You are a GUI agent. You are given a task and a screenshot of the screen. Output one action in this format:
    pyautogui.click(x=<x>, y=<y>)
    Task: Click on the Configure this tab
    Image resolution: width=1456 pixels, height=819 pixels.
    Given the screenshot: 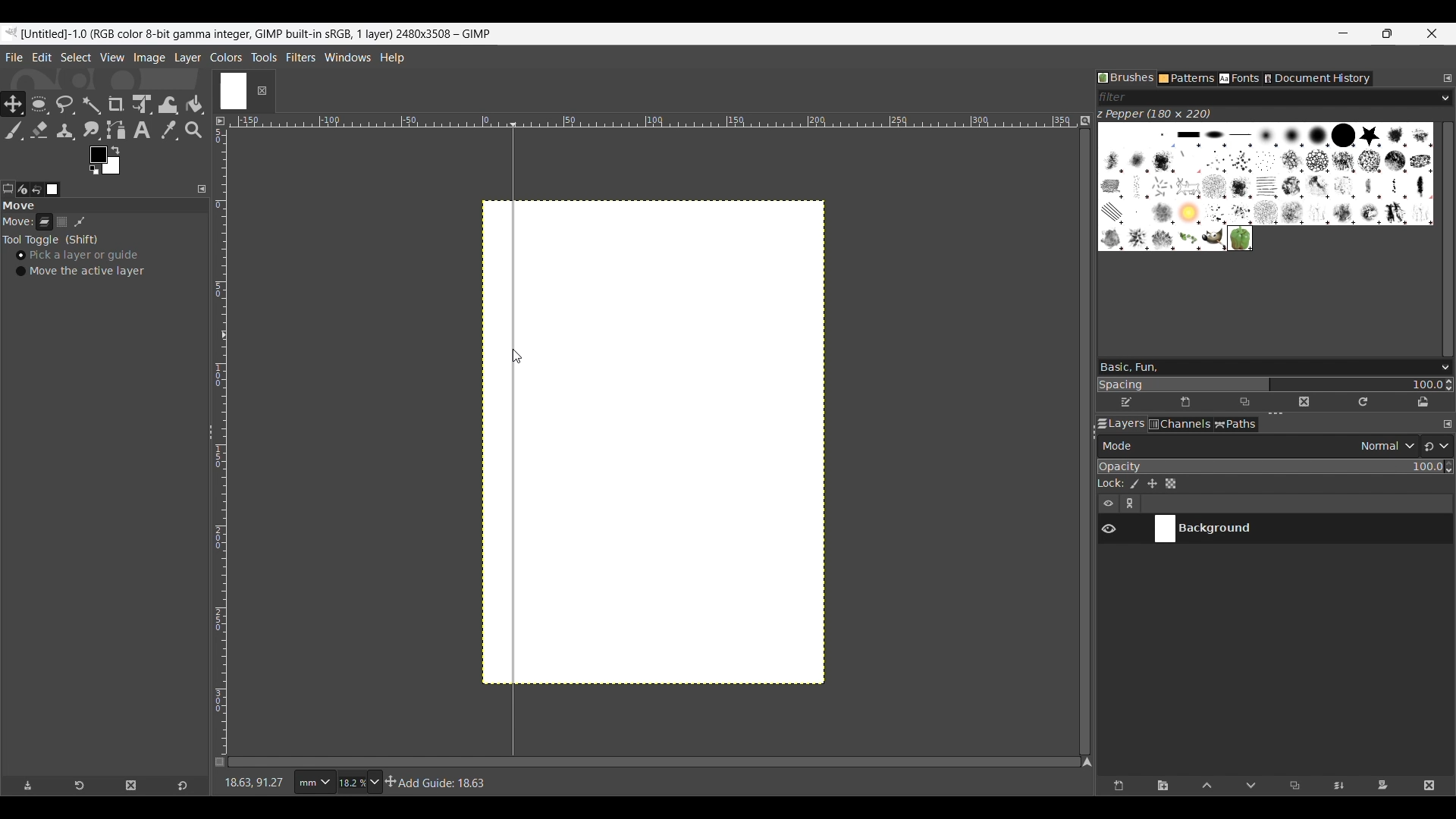 What is the action you would take?
    pyautogui.click(x=1447, y=424)
    